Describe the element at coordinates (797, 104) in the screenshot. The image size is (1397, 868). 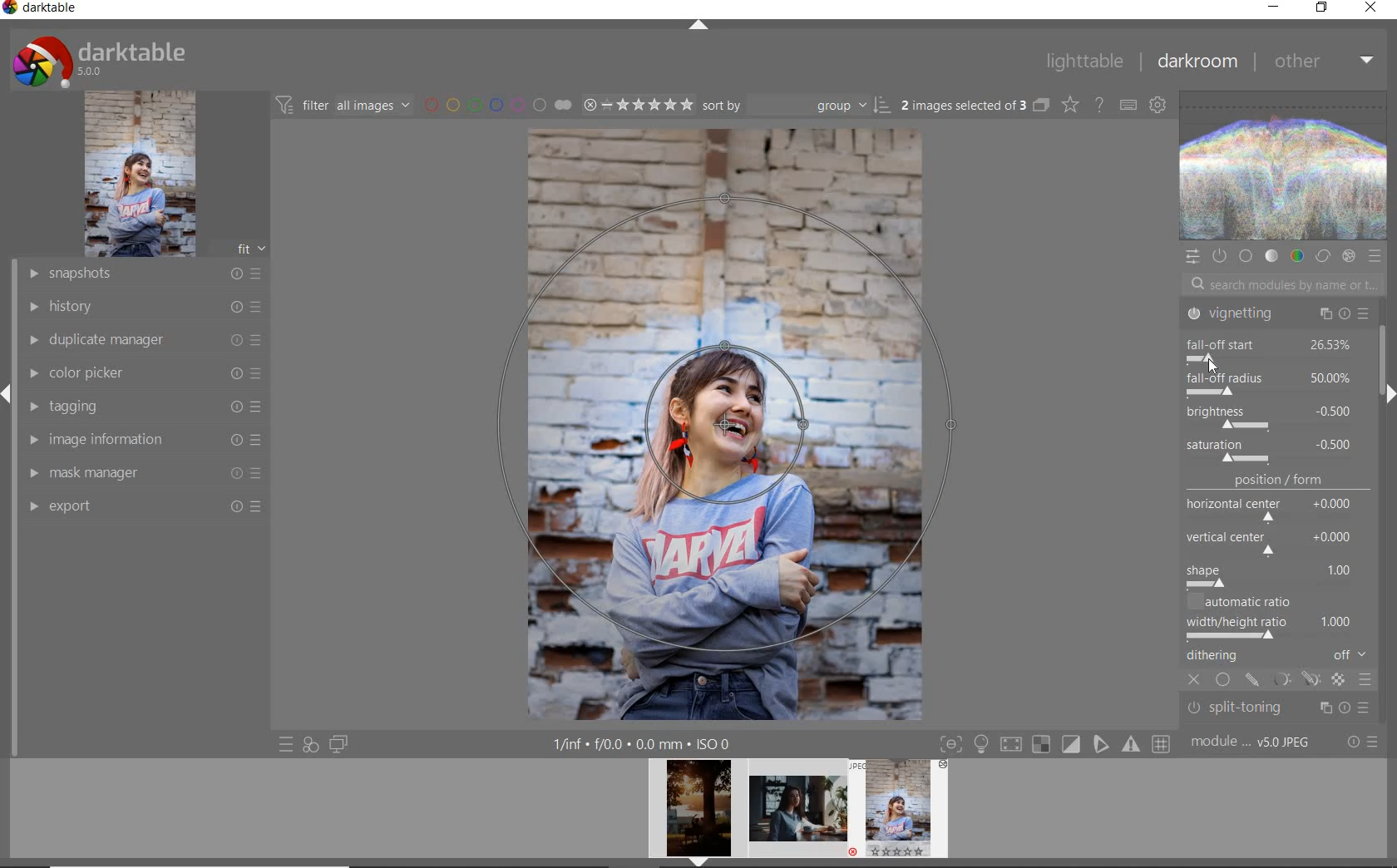
I see `SORT` at that location.